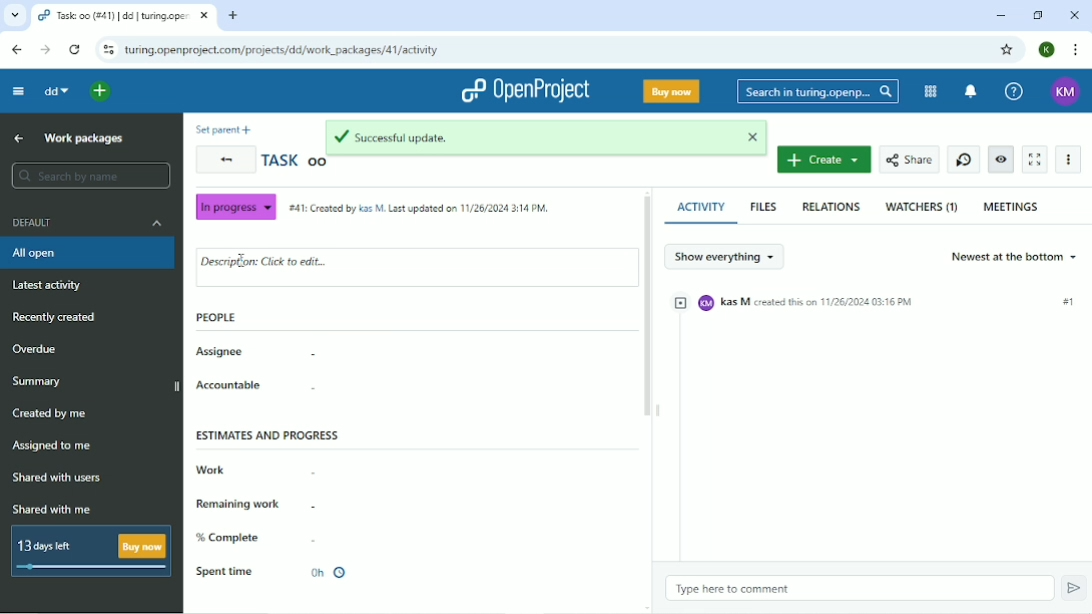 The image size is (1092, 614). What do you see at coordinates (55, 414) in the screenshot?
I see `Created by me` at bounding box center [55, 414].